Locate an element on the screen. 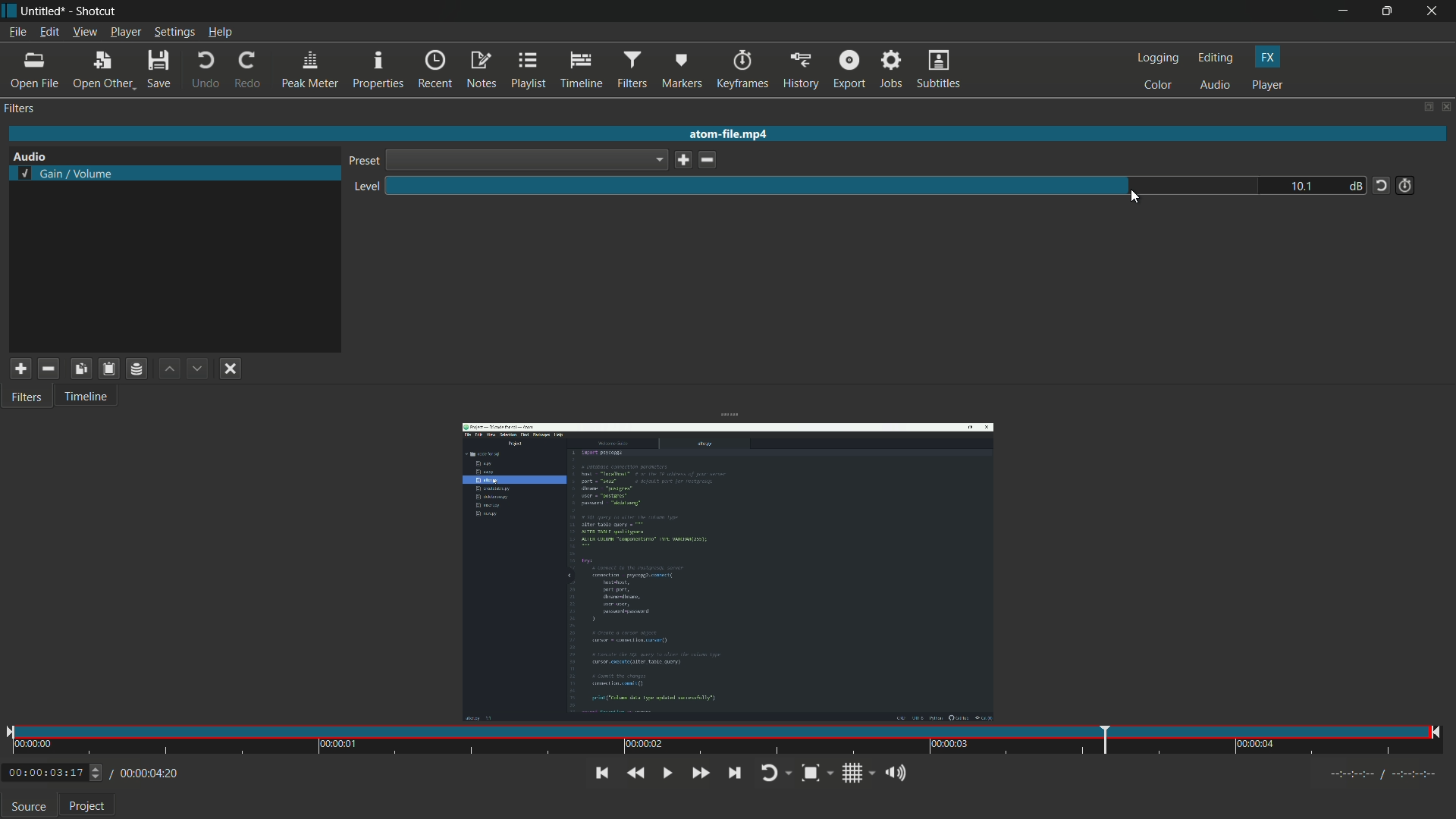 The height and width of the screenshot is (819, 1456). help menu is located at coordinates (219, 32).